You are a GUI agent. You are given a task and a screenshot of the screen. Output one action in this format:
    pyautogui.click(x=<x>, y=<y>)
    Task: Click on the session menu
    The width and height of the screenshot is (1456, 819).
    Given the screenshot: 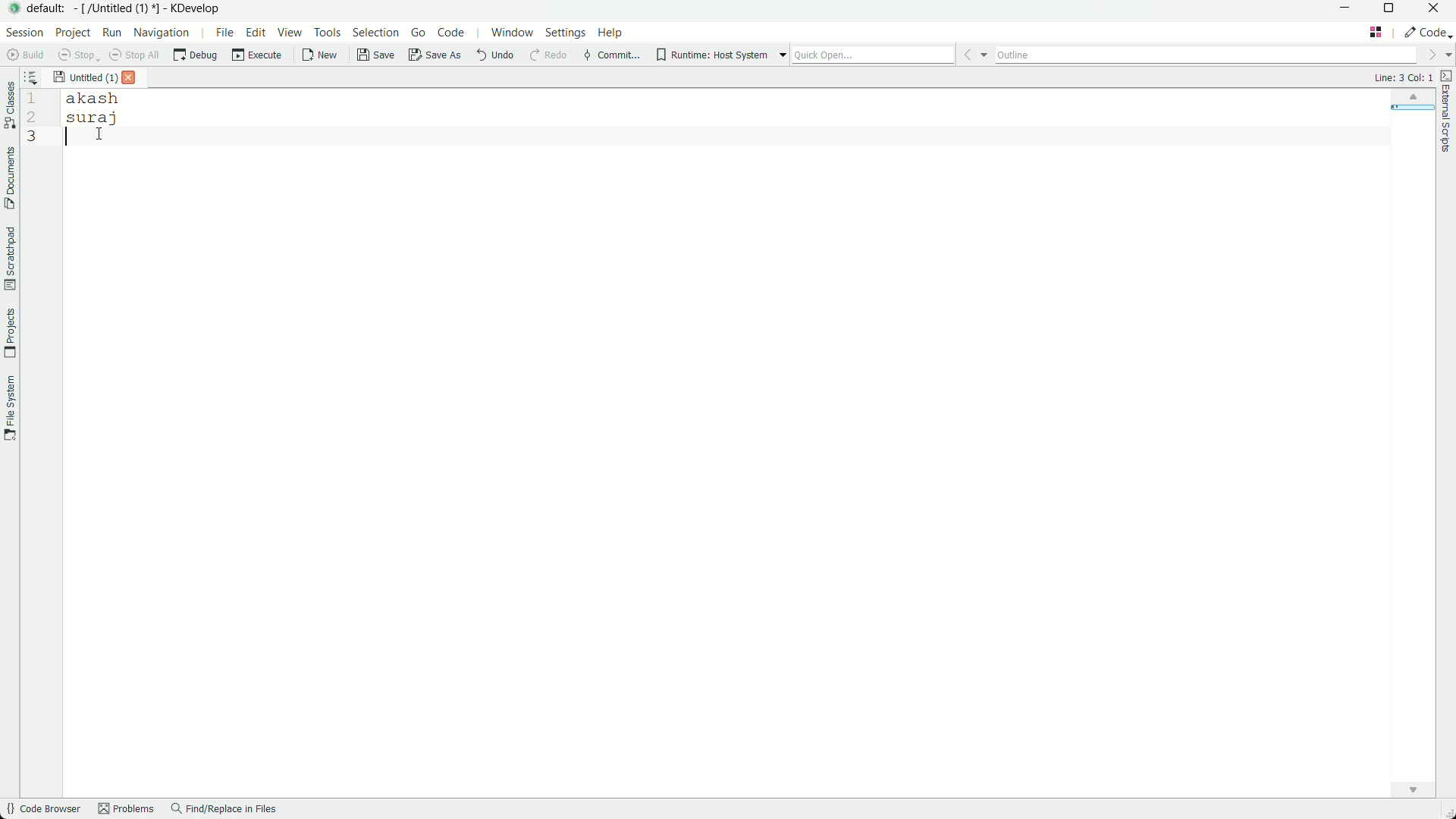 What is the action you would take?
    pyautogui.click(x=24, y=32)
    